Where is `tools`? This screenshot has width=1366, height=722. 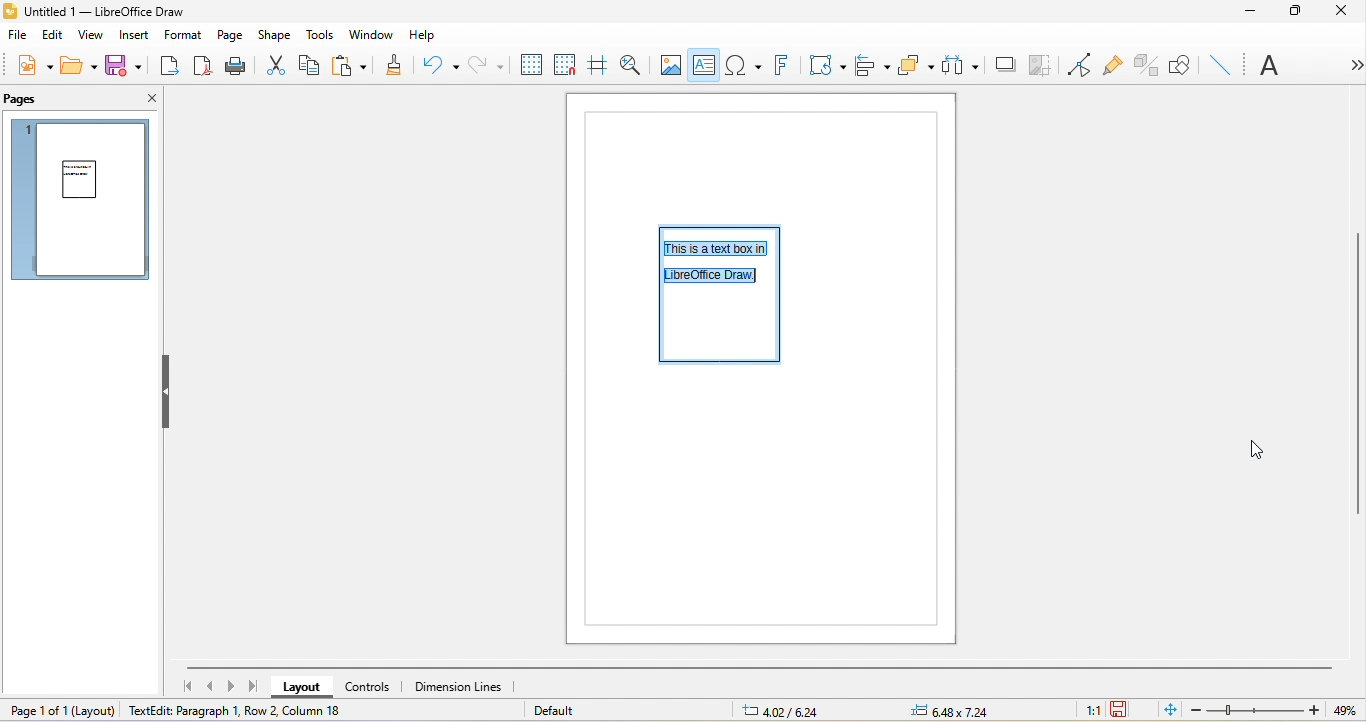 tools is located at coordinates (320, 36).